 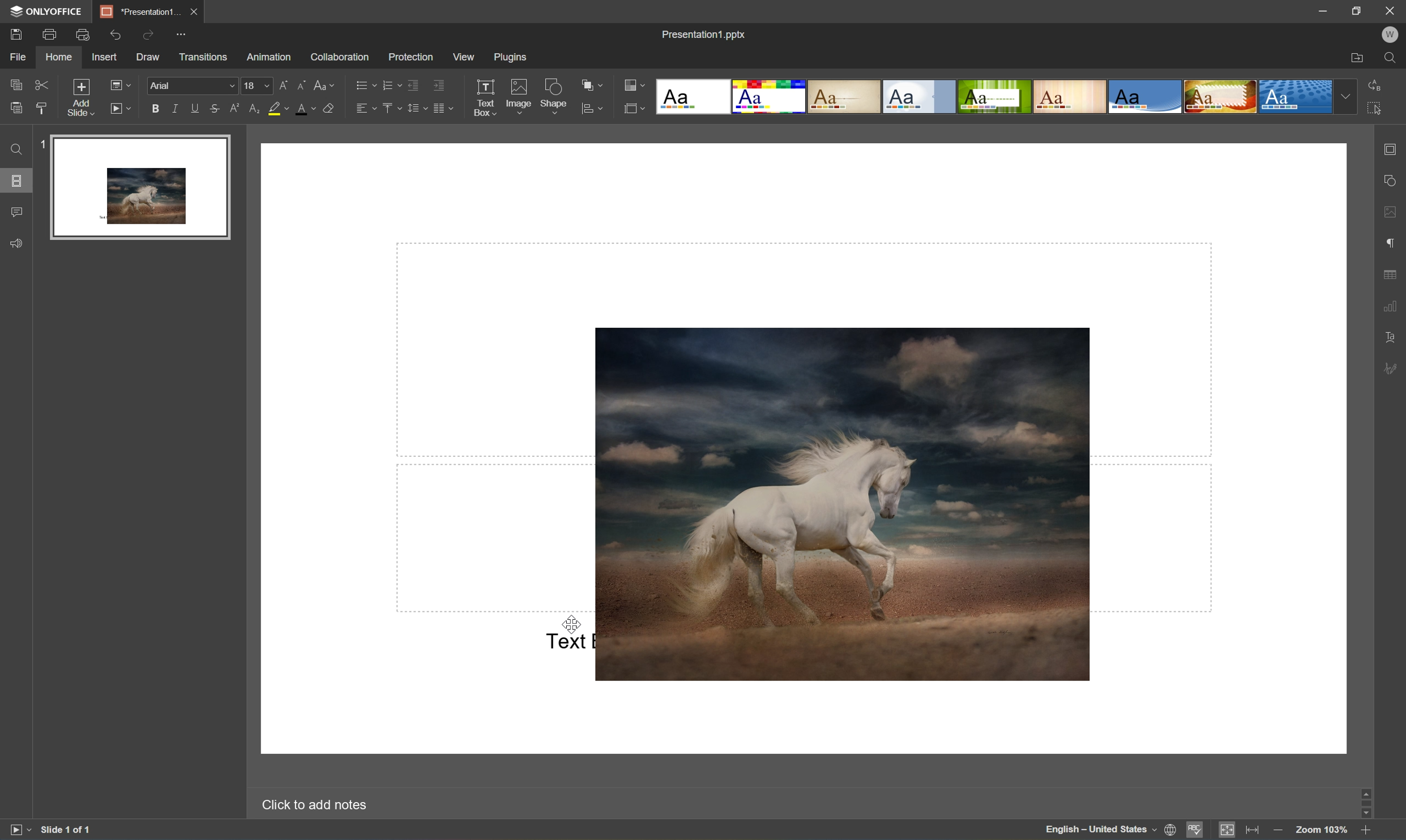 I want to click on Strikethrough, so click(x=215, y=108).